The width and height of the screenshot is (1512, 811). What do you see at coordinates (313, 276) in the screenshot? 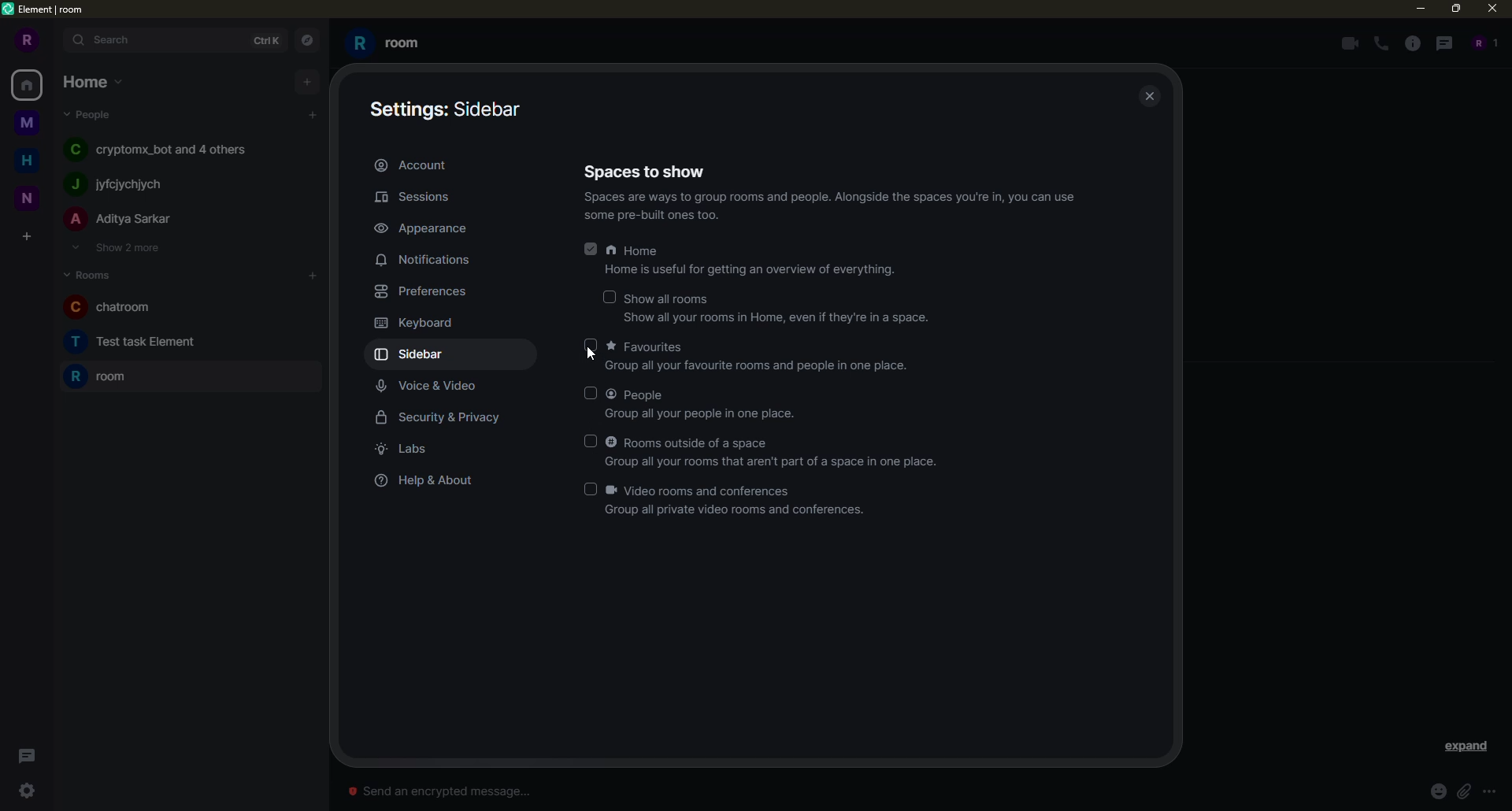
I see `add` at bounding box center [313, 276].